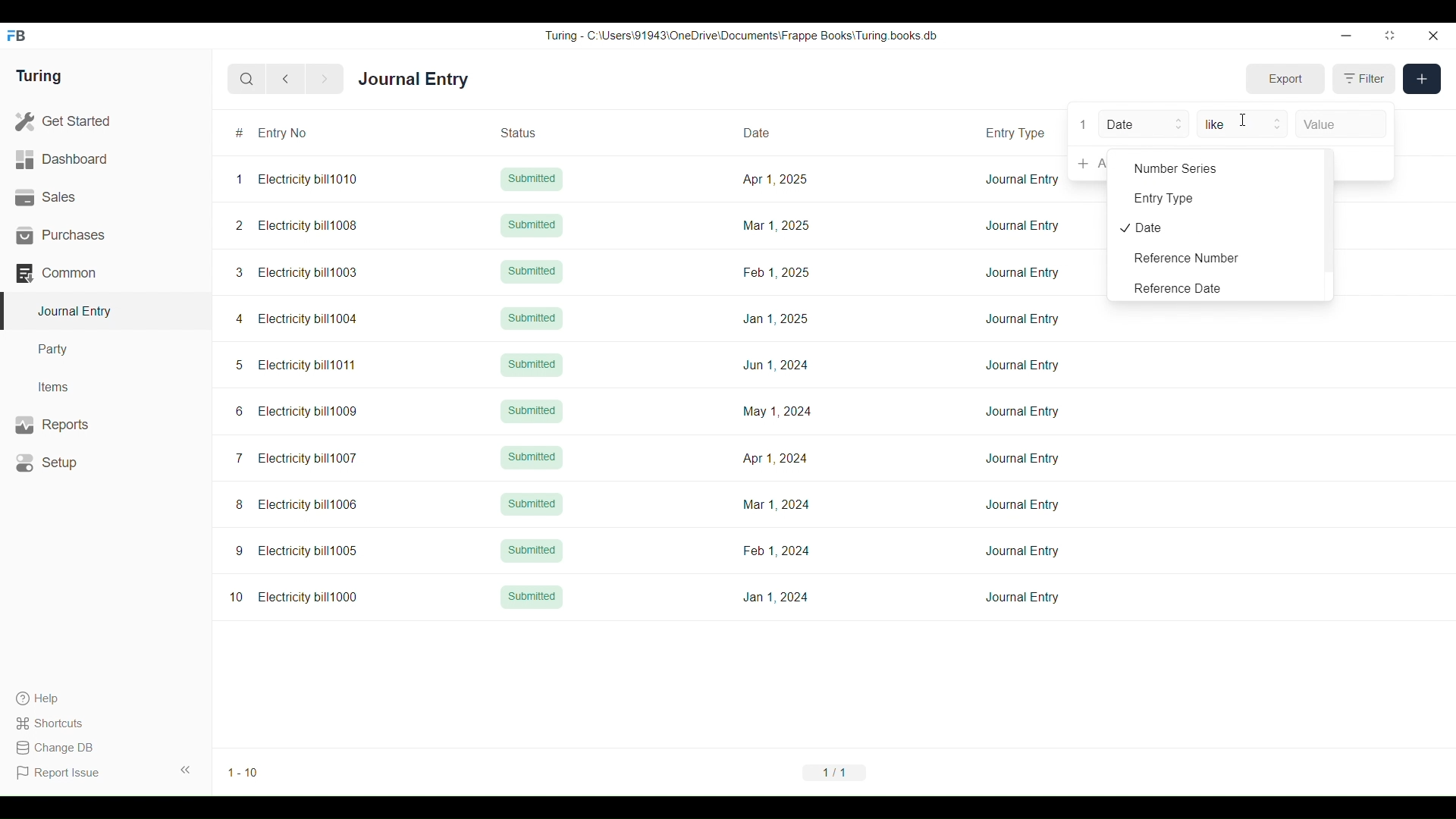 The image size is (1456, 819). What do you see at coordinates (1022, 226) in the screenshot?
I see `Journal Entry` at bounding box center [1022, 226].